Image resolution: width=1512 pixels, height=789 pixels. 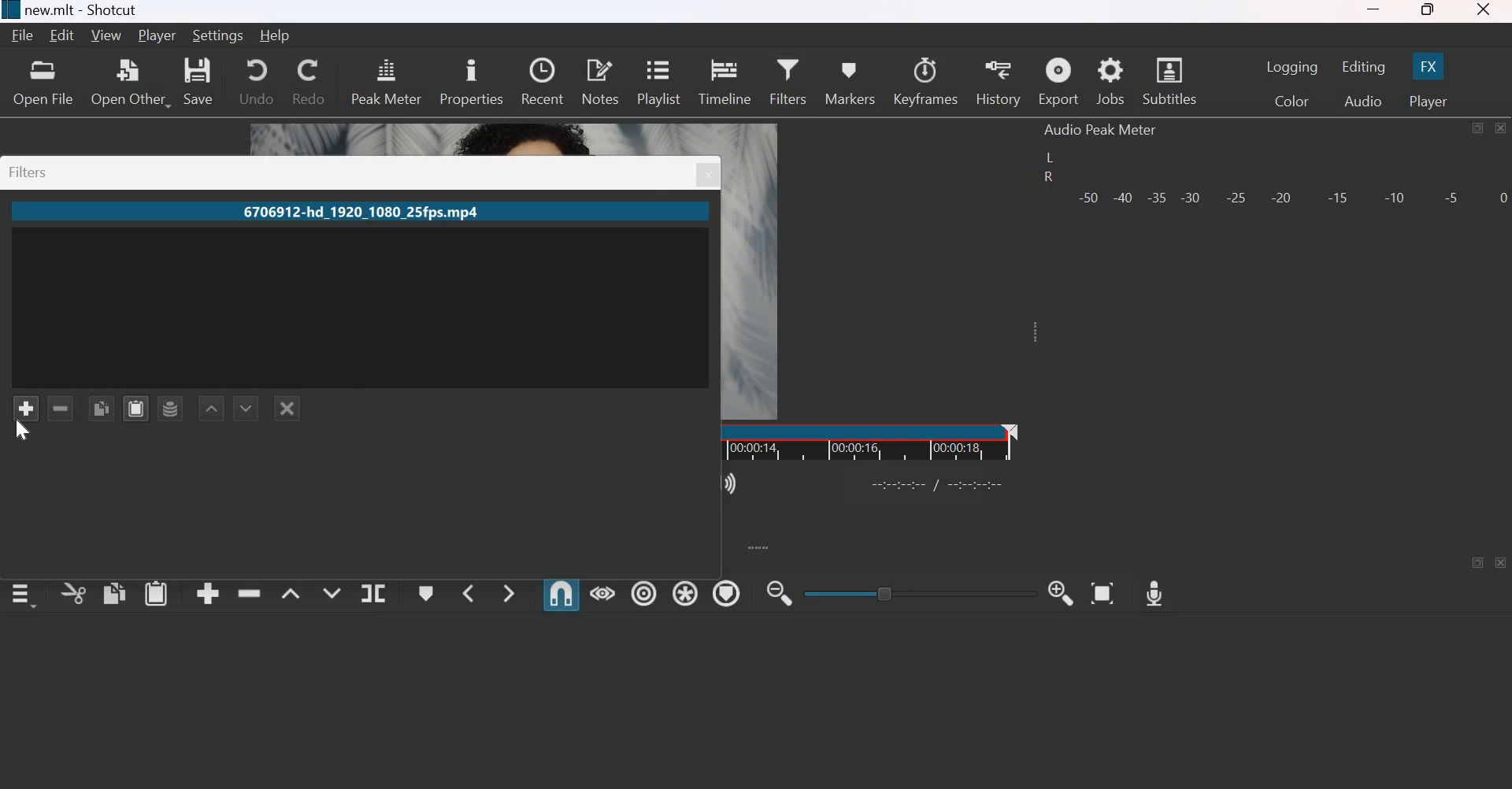 What do you see at coordinates (1363, 102) in the screenshot?
I see `Audio` at bounding box center [1363, 102].